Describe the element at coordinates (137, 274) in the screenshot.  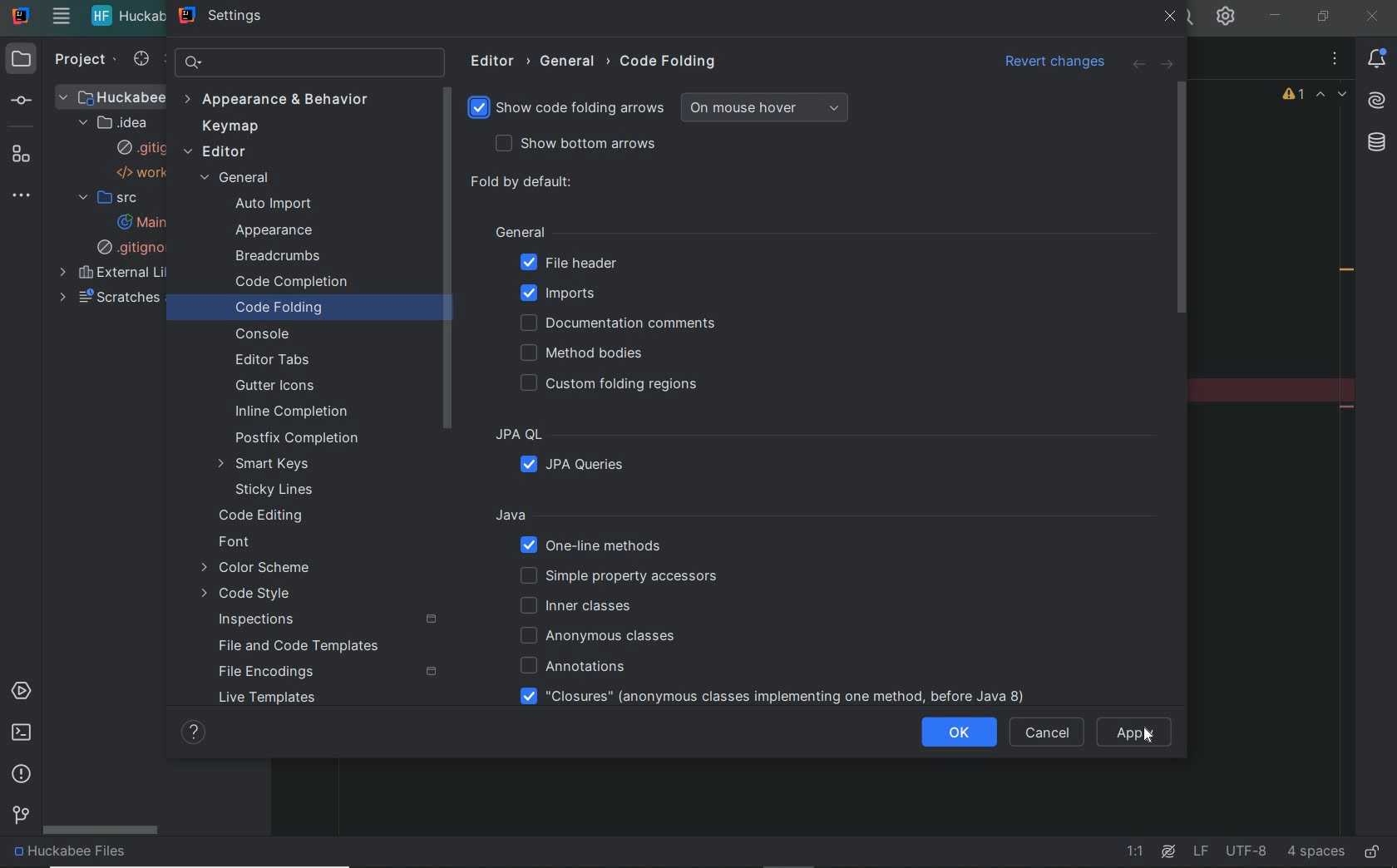
I see `external libraries` at that location.